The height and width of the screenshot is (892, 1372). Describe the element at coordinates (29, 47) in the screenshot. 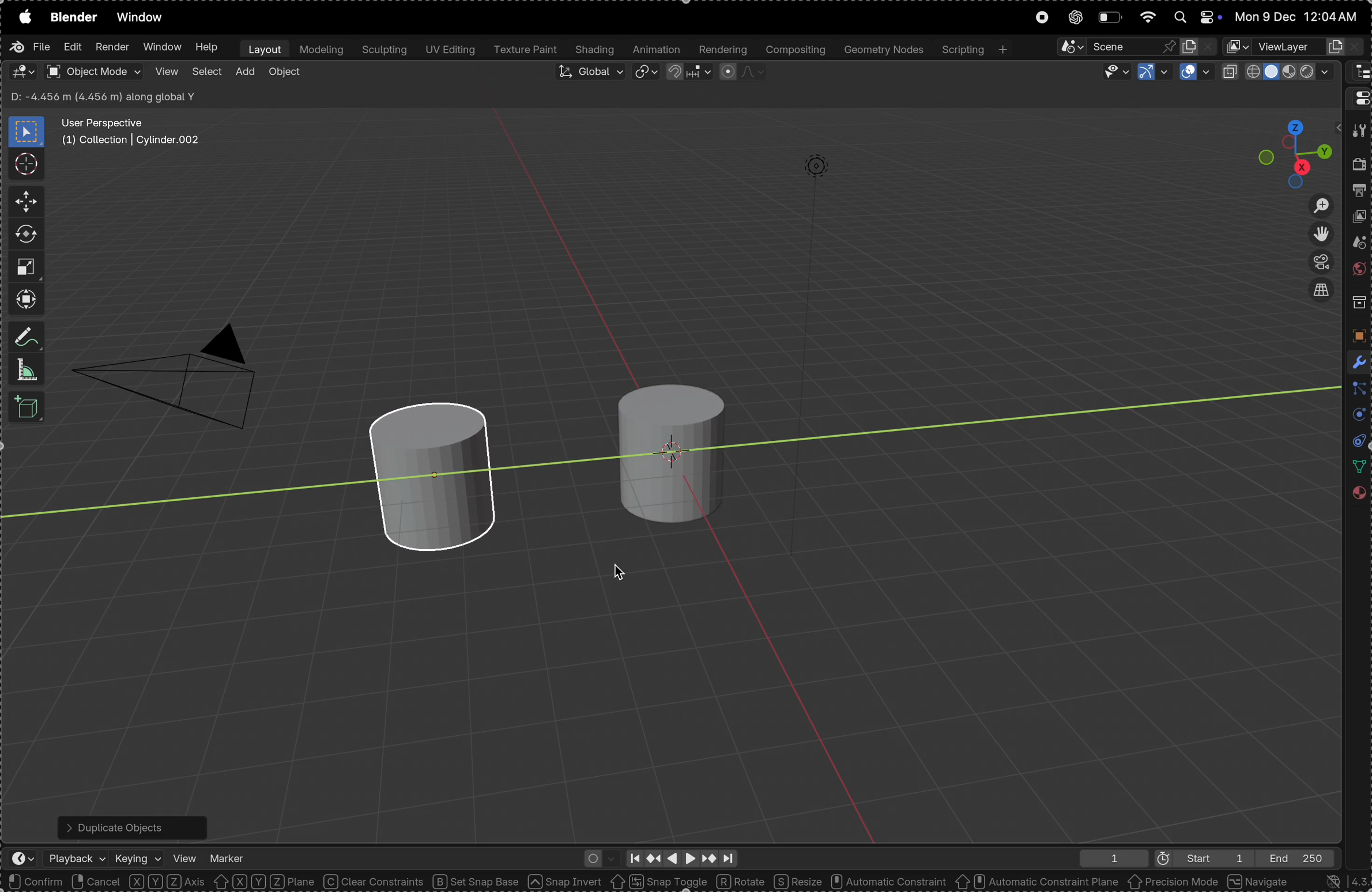

I see `file` at that location.